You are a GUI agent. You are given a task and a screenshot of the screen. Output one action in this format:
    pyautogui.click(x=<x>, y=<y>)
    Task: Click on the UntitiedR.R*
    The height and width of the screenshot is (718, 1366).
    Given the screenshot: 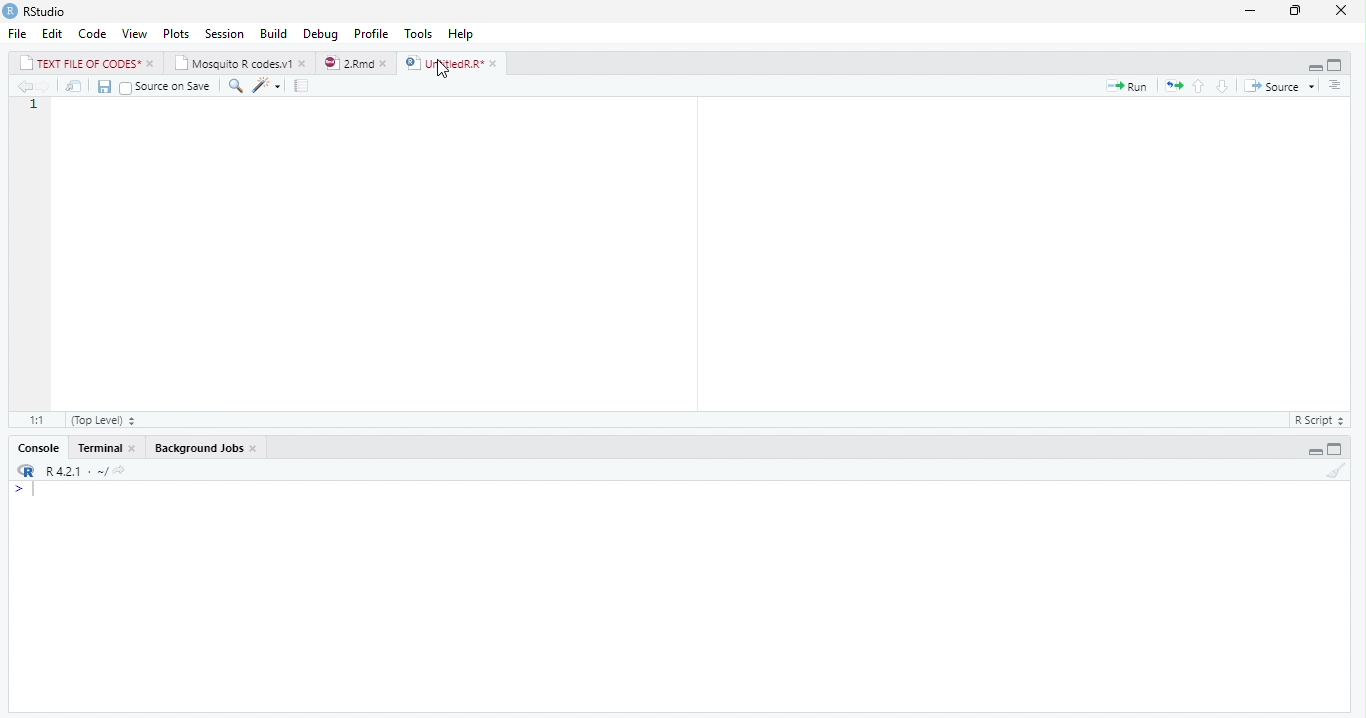 What is the action you would take?
    pyautogui.click(x=454, y=63)
    